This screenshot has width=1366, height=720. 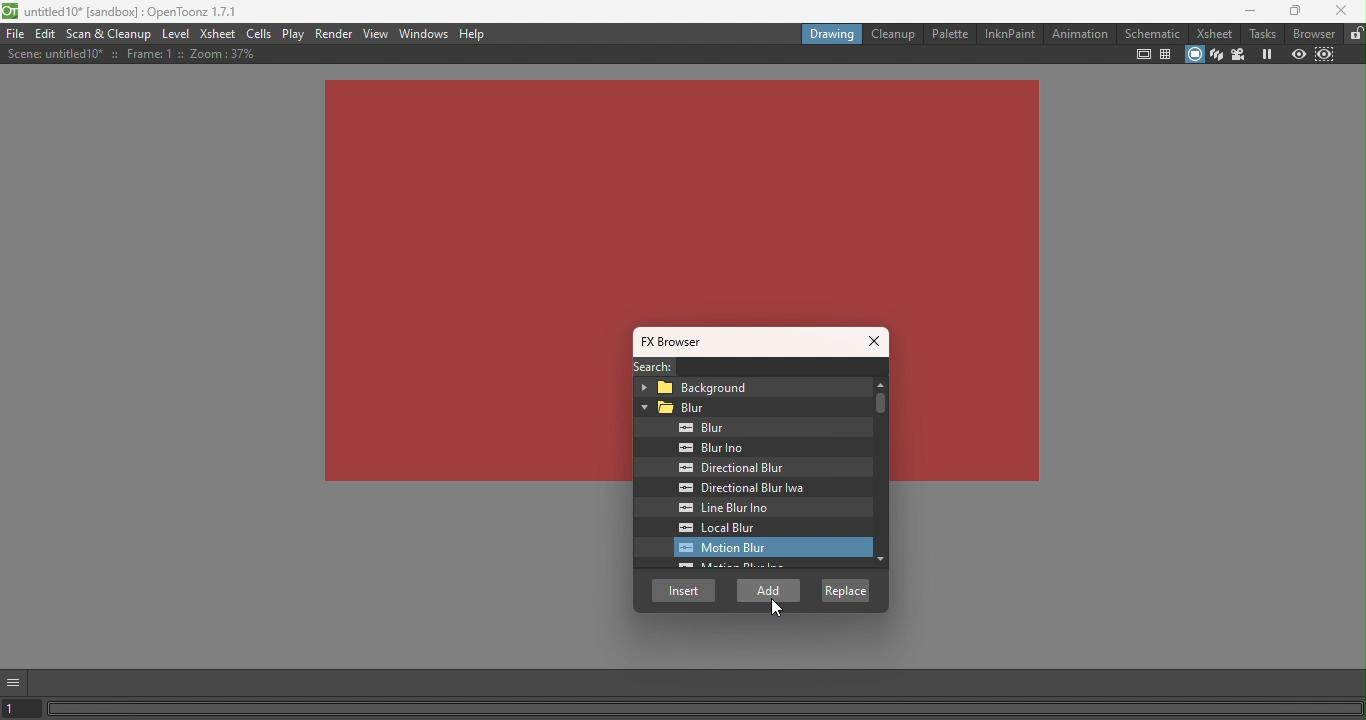 What do you see at coordinates (1211, 32) in the screenshot?
I see `Xsheet` at bounding box center [1211, 32].